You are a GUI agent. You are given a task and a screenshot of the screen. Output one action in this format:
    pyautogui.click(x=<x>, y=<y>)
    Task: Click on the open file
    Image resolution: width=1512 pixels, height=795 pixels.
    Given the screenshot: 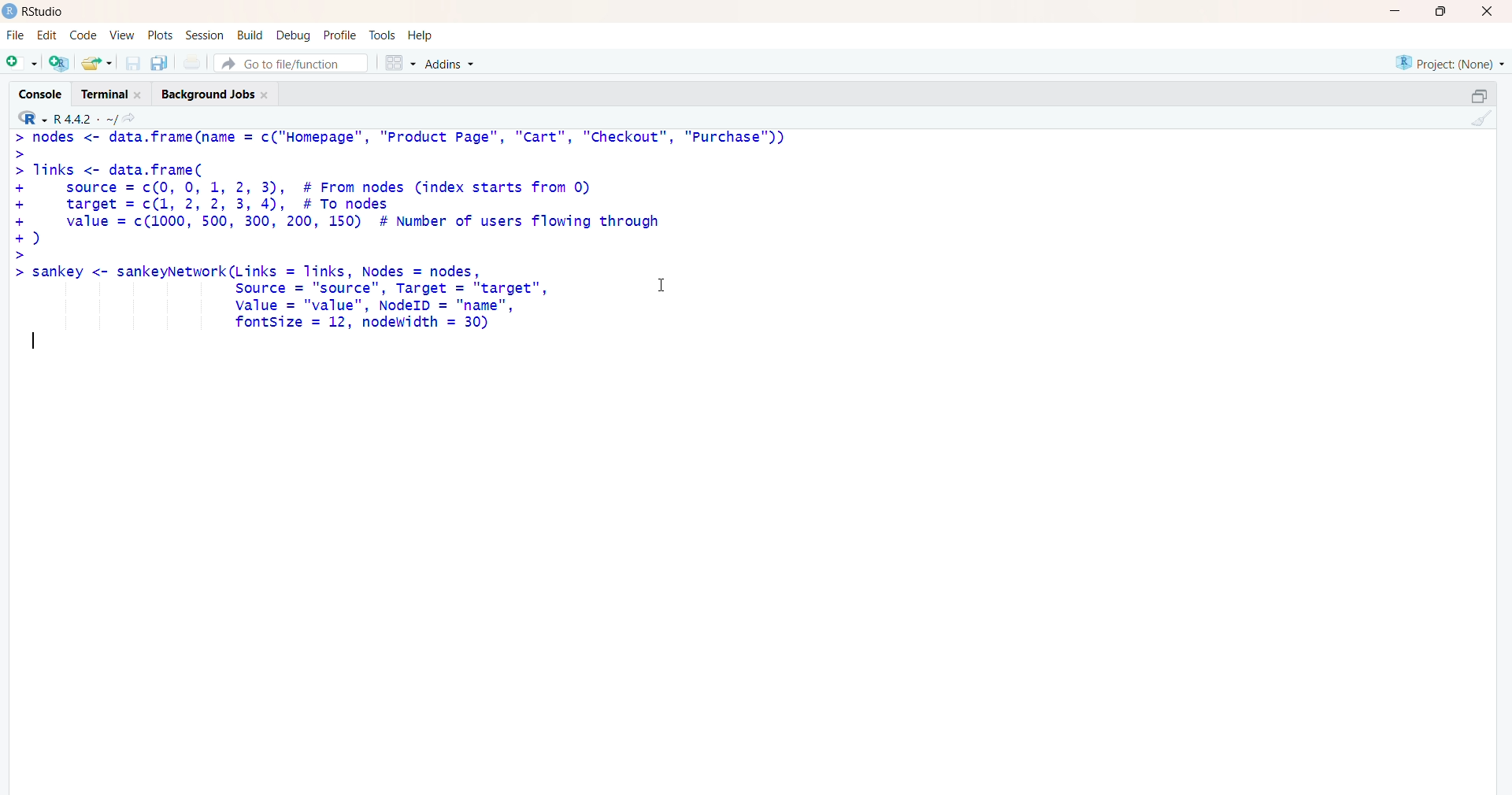 What is the action you would take?
    pyautogui.click(x=97, y=64)
    